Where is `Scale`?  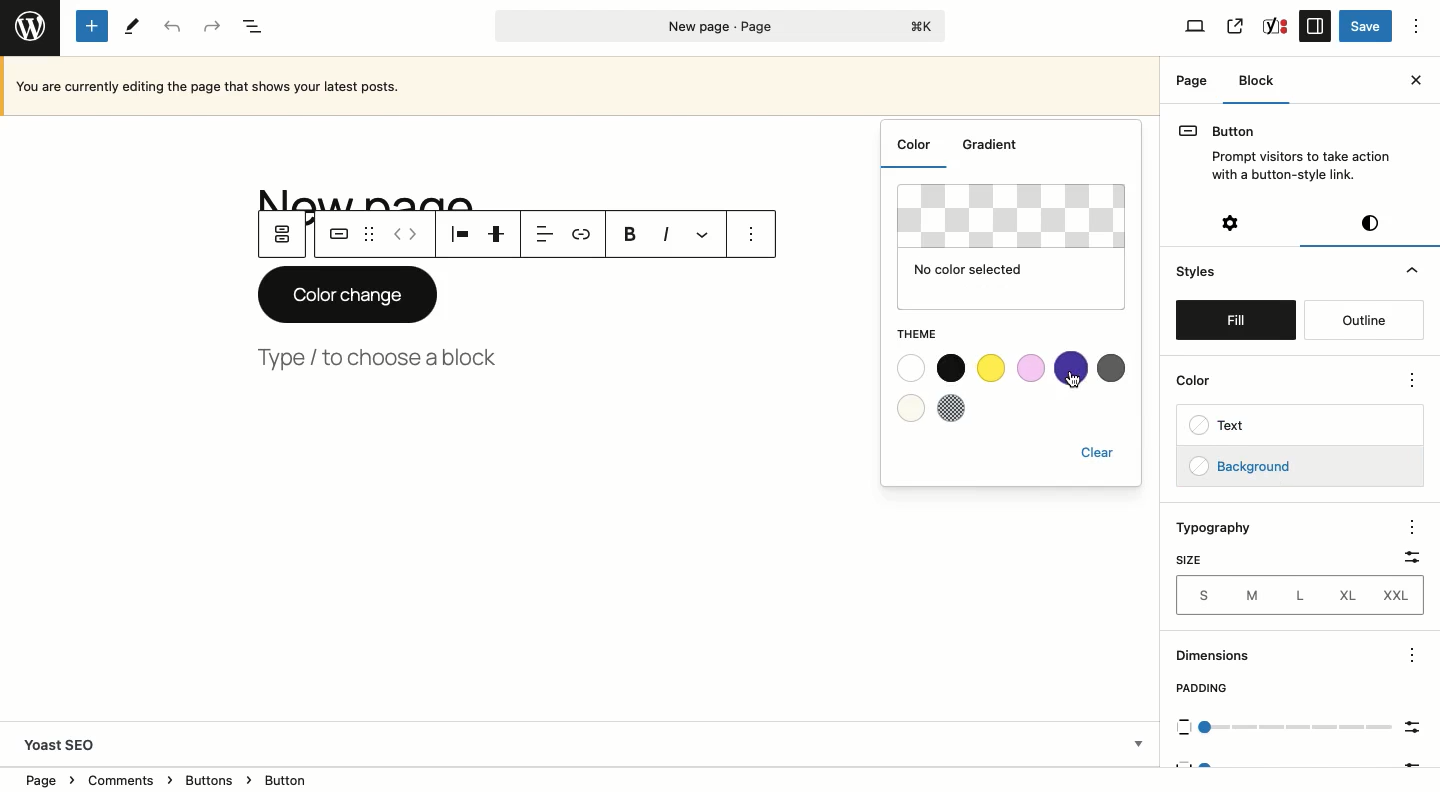
Scale is located at coordinates (1305, 729).